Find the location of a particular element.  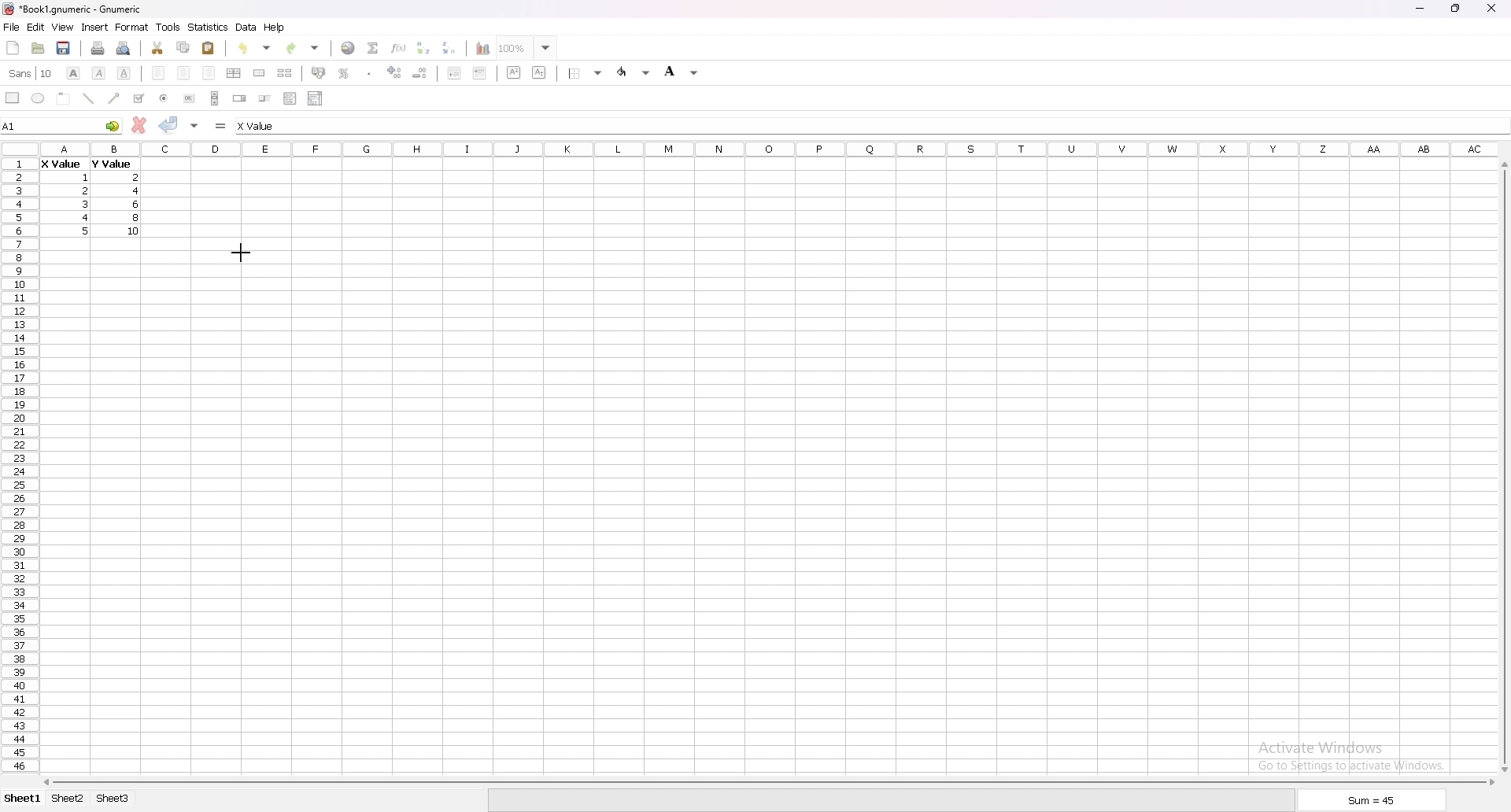

increase indent is located at coordinates (480, 72).